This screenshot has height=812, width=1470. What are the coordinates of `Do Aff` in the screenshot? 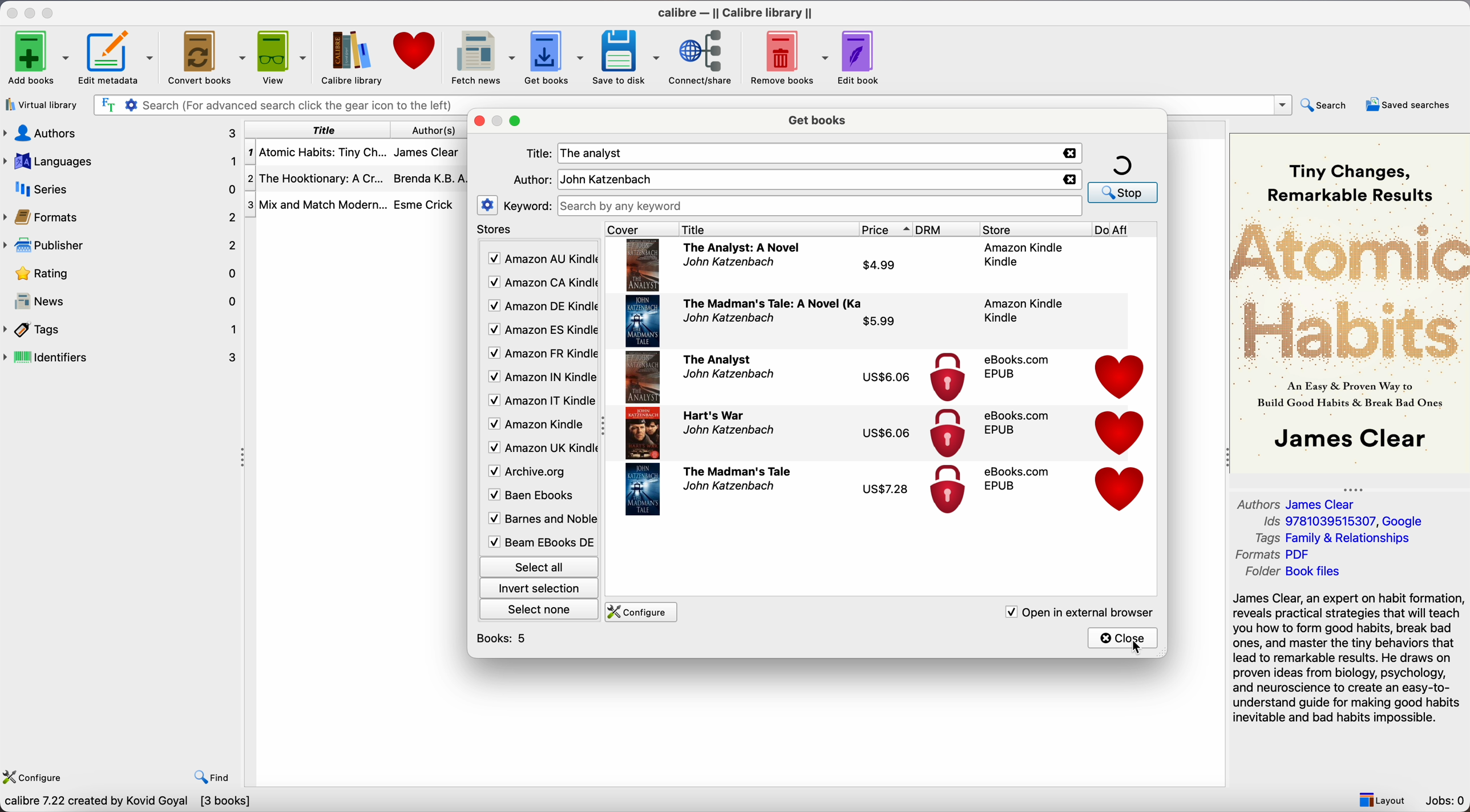 It's located at (1125, 230).